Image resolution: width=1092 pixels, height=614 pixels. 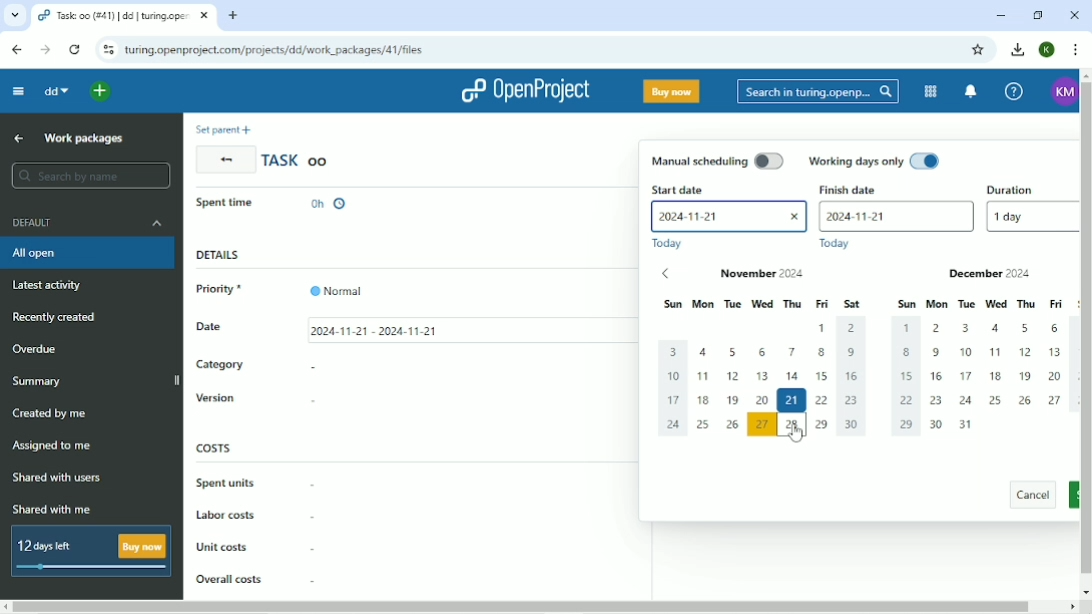 What do you see at coordinates (981, 304) in the screenshot?
I see `days of the week` at bounding box center [981, 304].